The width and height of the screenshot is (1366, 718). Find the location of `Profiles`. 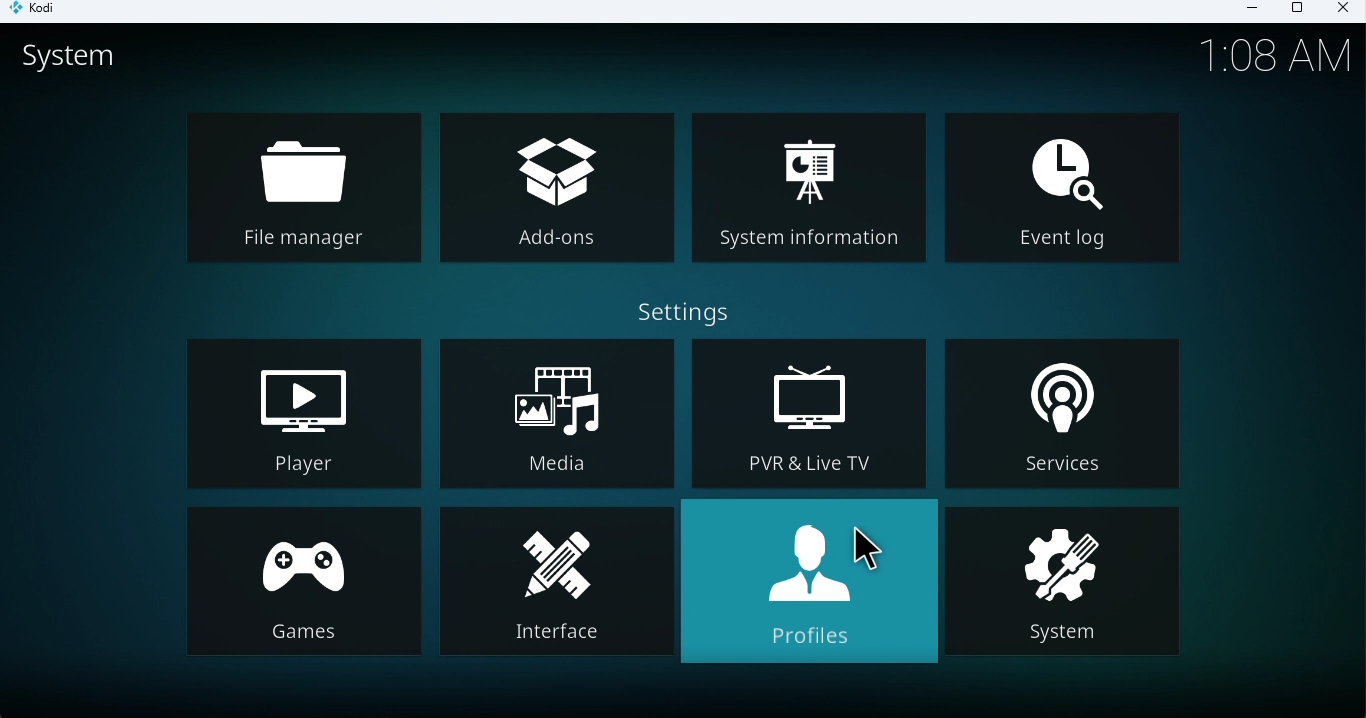

Profiles is located at coordinates (809, 590).